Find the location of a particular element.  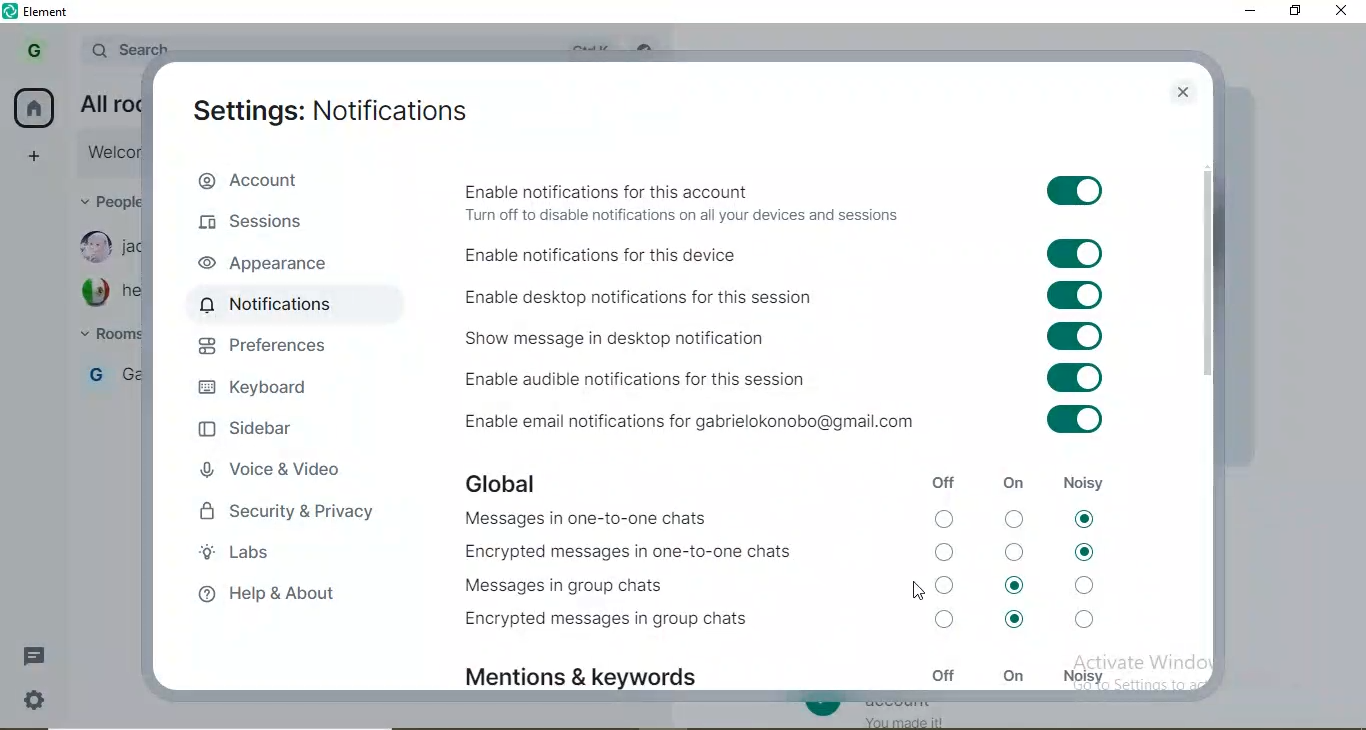

enable notifications for this device is located at coordinates (723, 254).